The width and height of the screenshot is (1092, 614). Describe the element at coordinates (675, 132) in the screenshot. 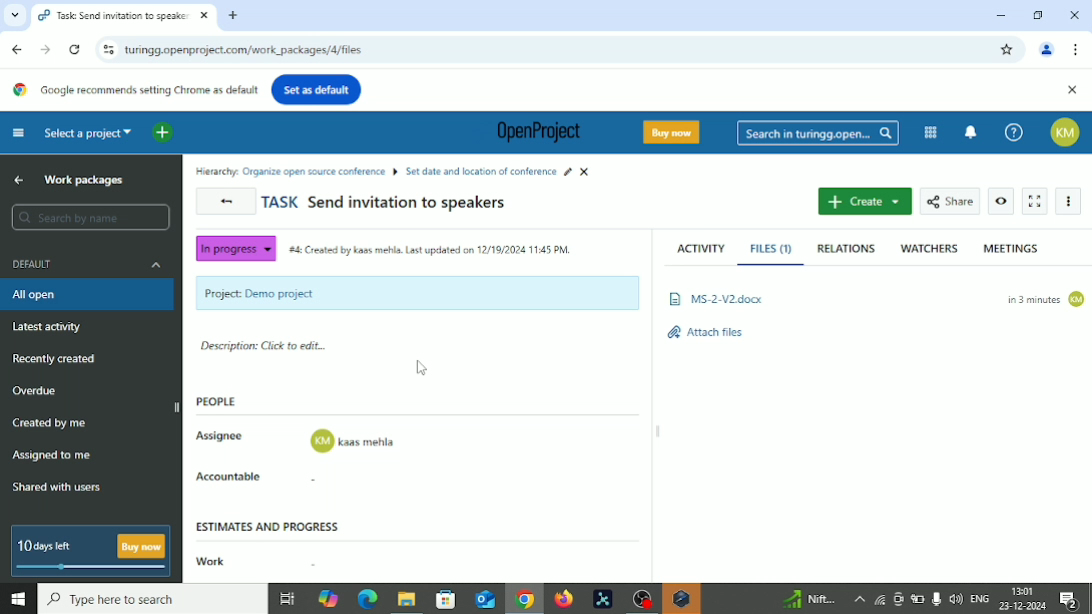

I see `Buy now` at that location.